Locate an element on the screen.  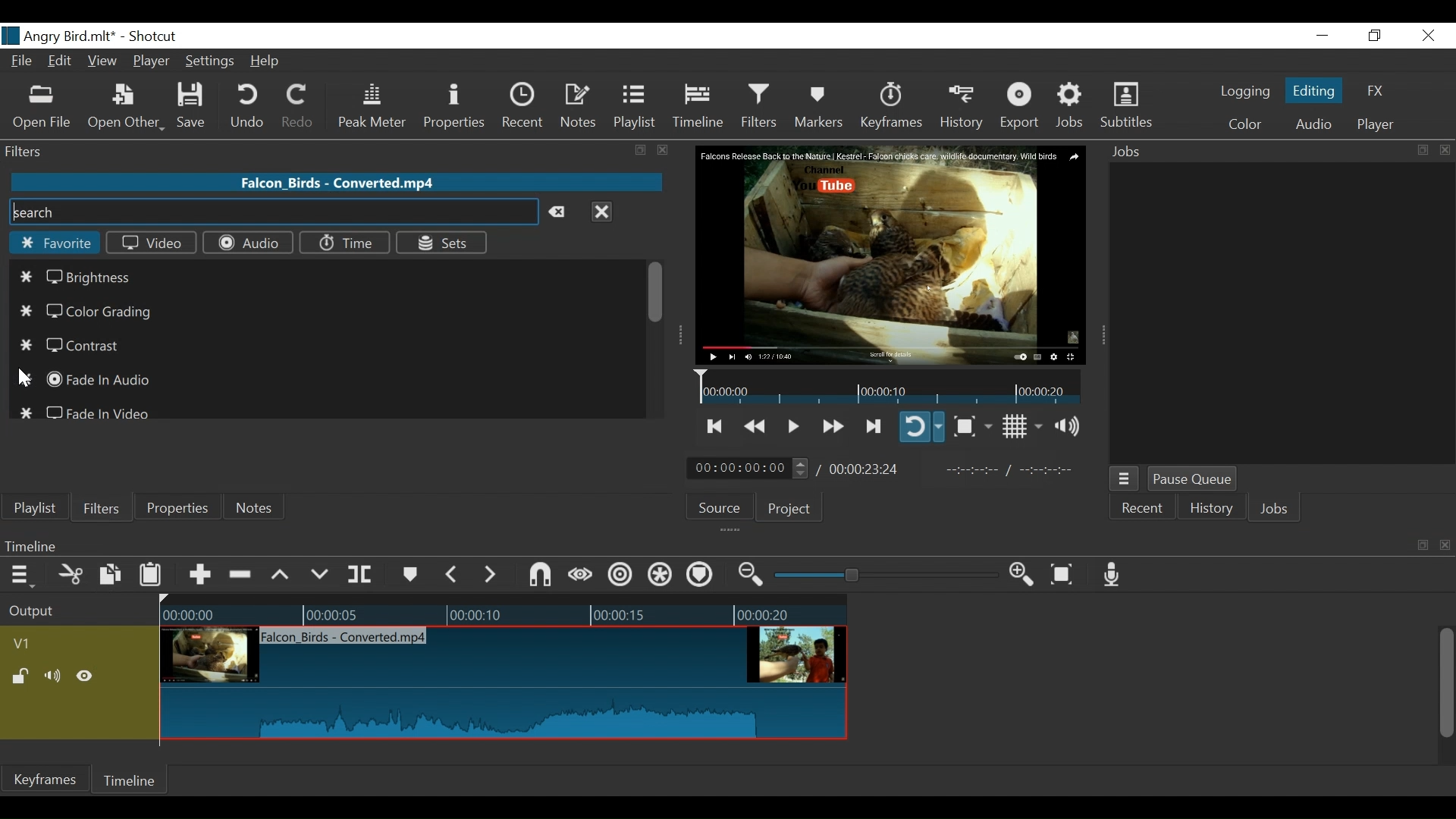
FX is located at coordinates (1373, 93).